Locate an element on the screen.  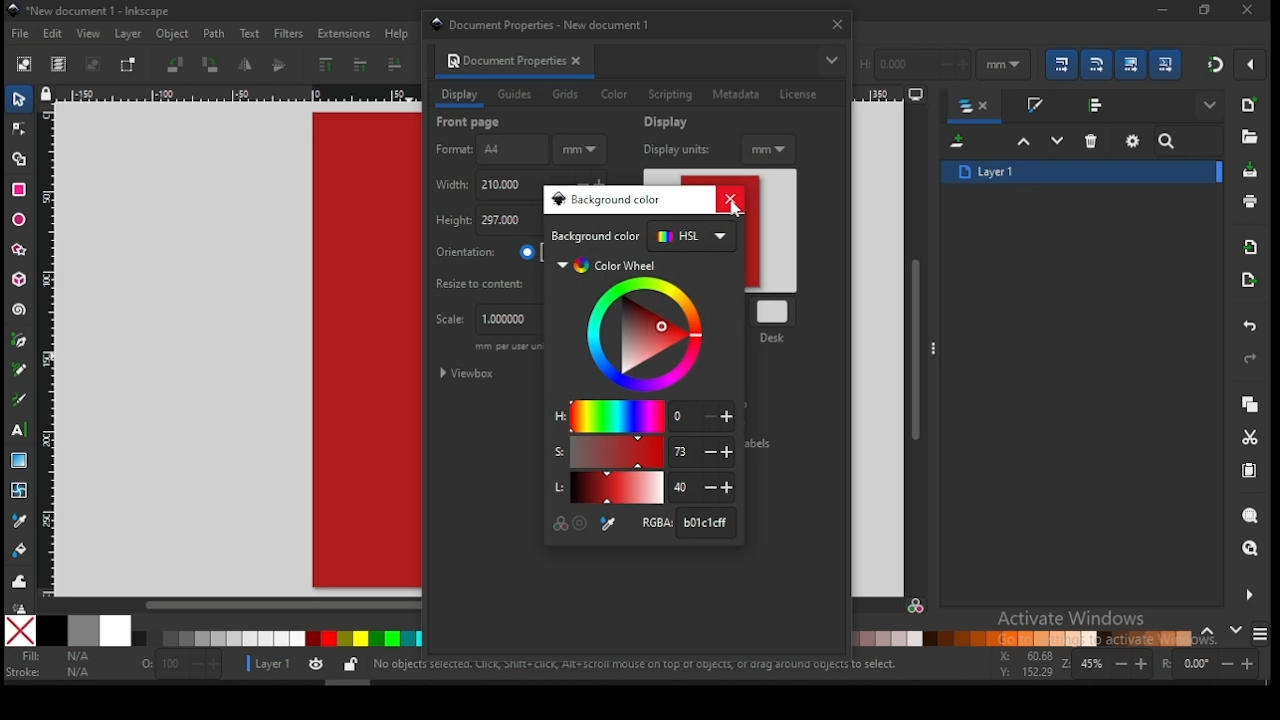
show is located at coordinates (1212, 106).